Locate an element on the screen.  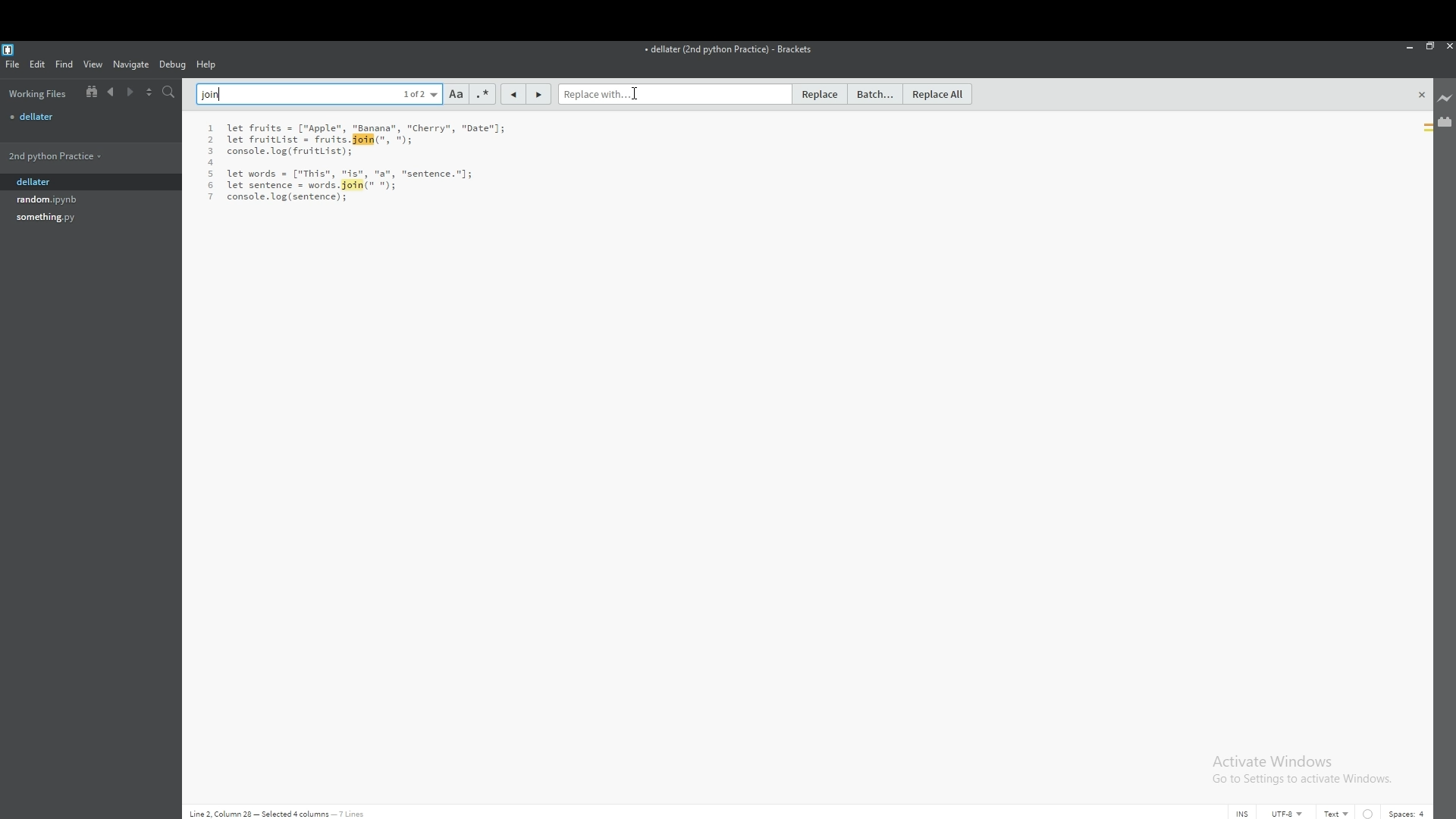
find text is located at coordinates (319, 94).